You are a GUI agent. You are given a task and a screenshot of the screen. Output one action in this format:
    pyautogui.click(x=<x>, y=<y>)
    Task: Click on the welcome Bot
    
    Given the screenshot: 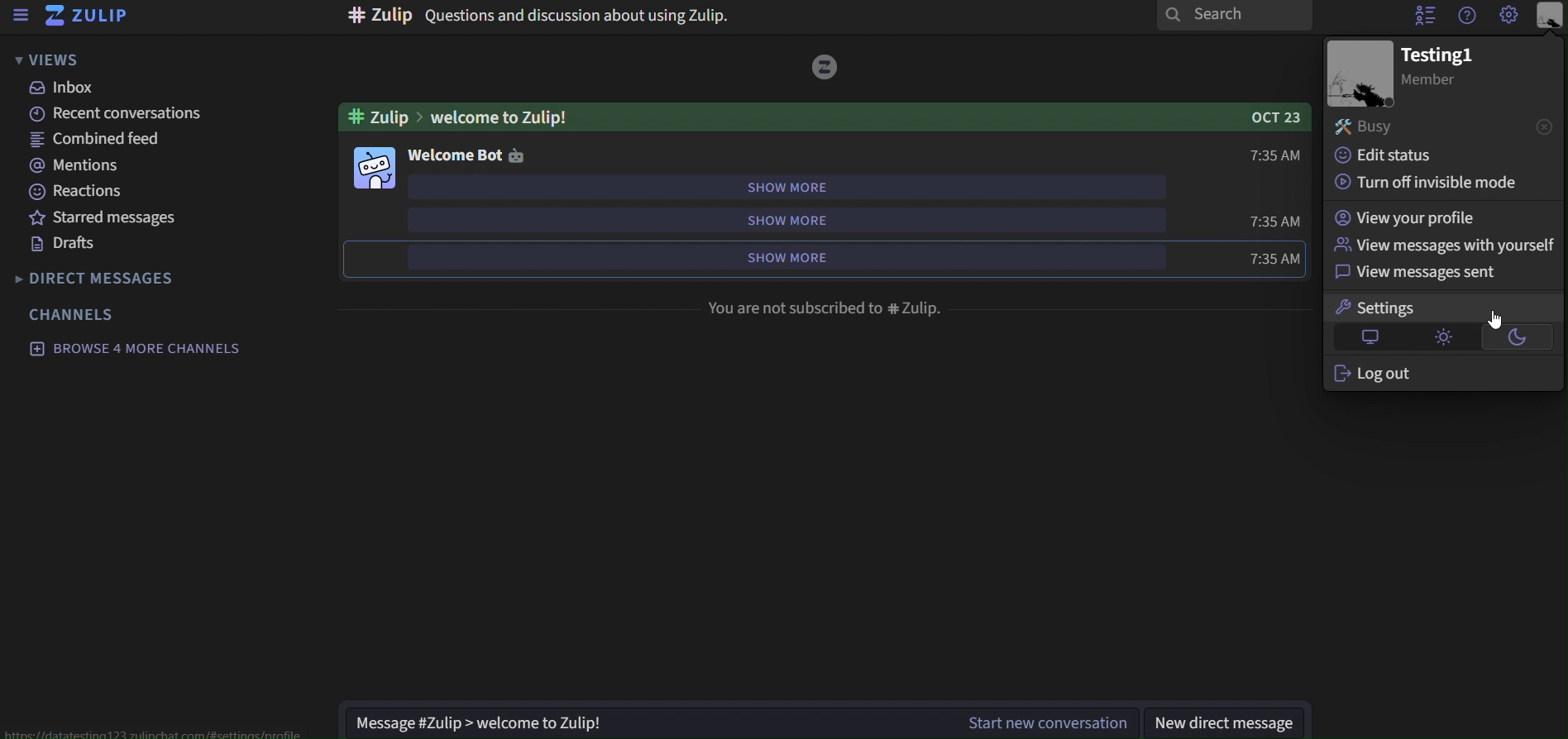 What is the action you would take?
    pyautogui.click(x=455, y=155)
    